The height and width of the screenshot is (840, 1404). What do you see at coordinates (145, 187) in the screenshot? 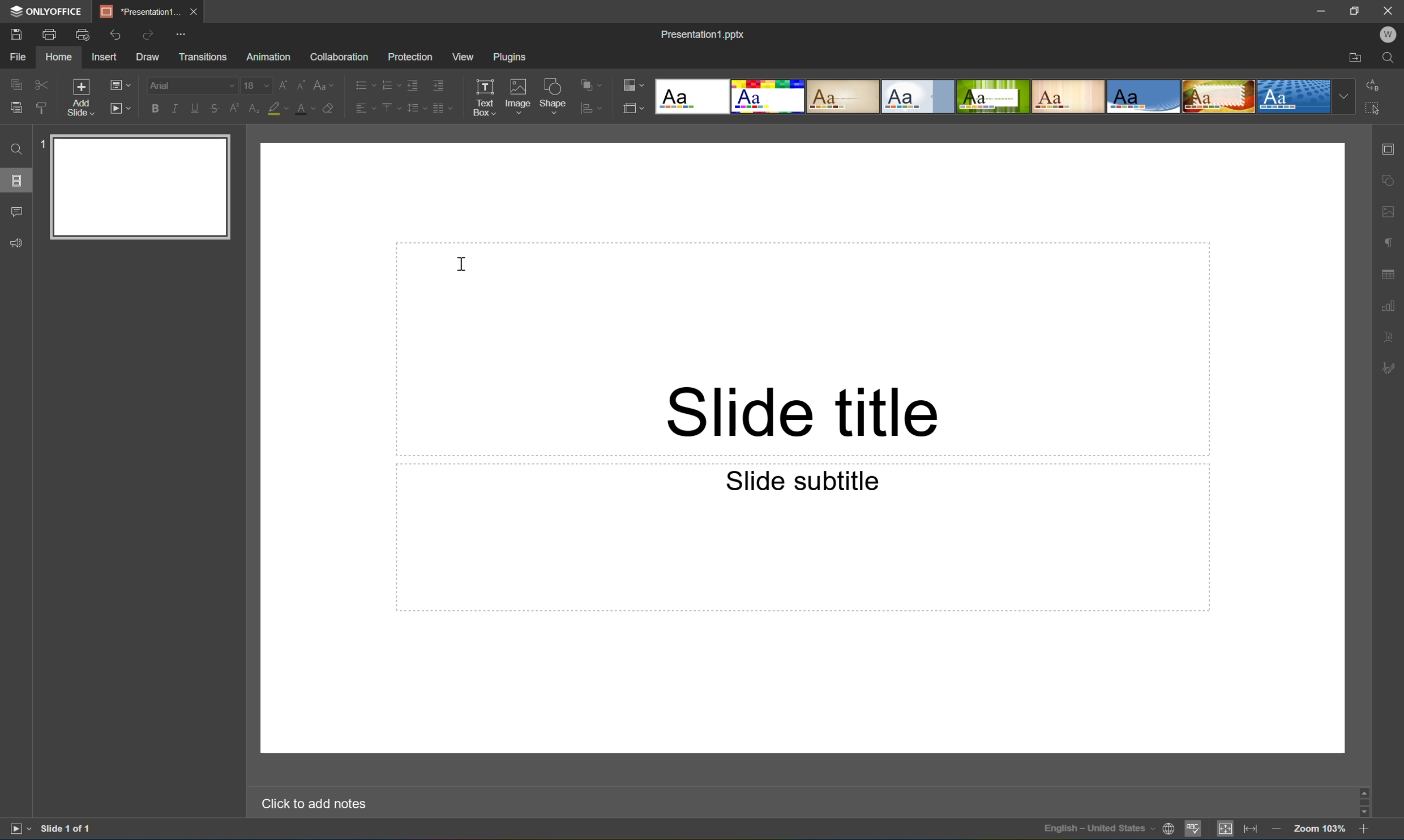
I see `Paste` at bounding box center [145, 187].